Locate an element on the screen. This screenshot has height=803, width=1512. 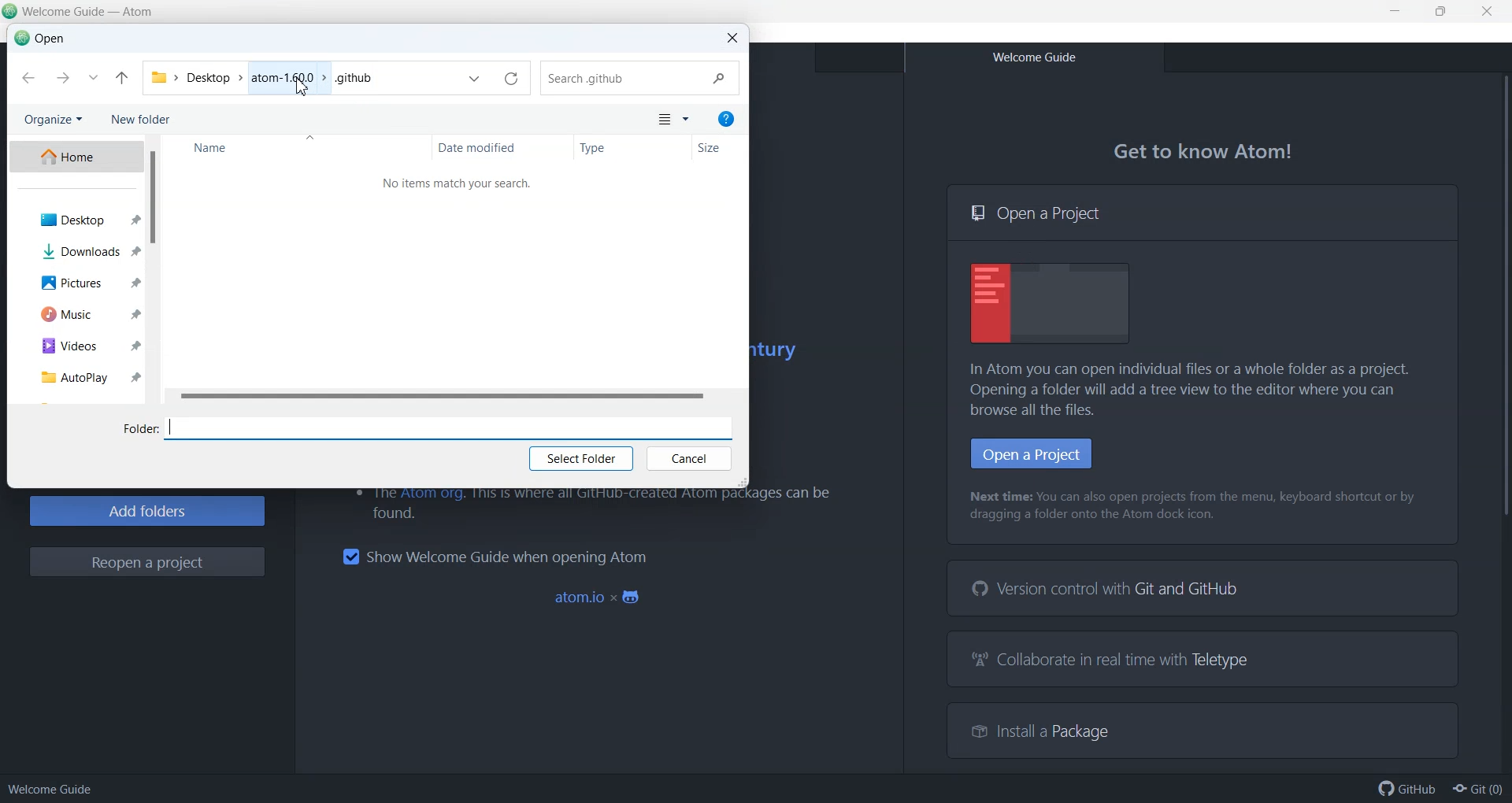
Welcome Guide is located at coordinates (1033, 57).